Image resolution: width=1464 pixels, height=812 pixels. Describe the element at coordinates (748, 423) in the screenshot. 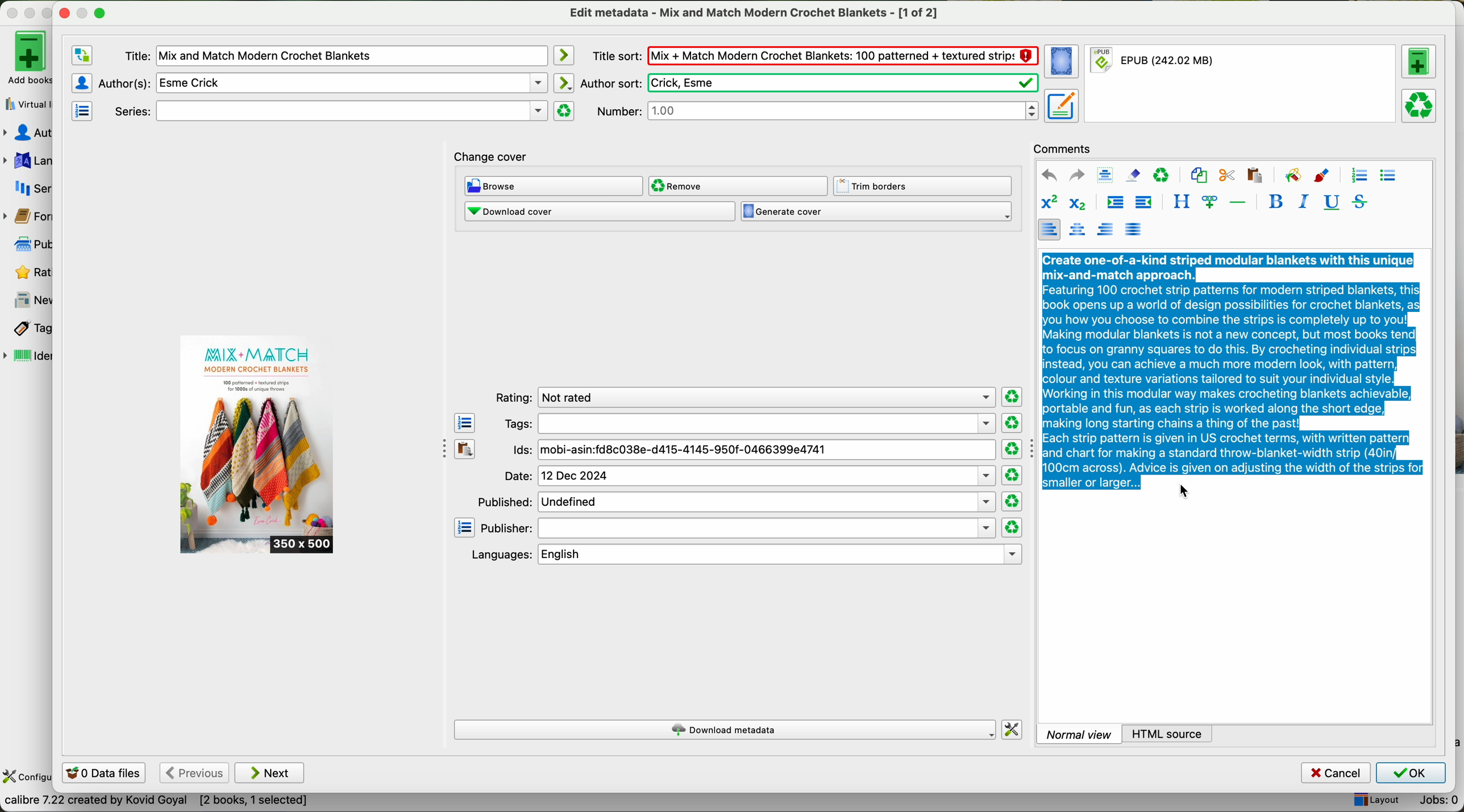

I see `tags` at that location.